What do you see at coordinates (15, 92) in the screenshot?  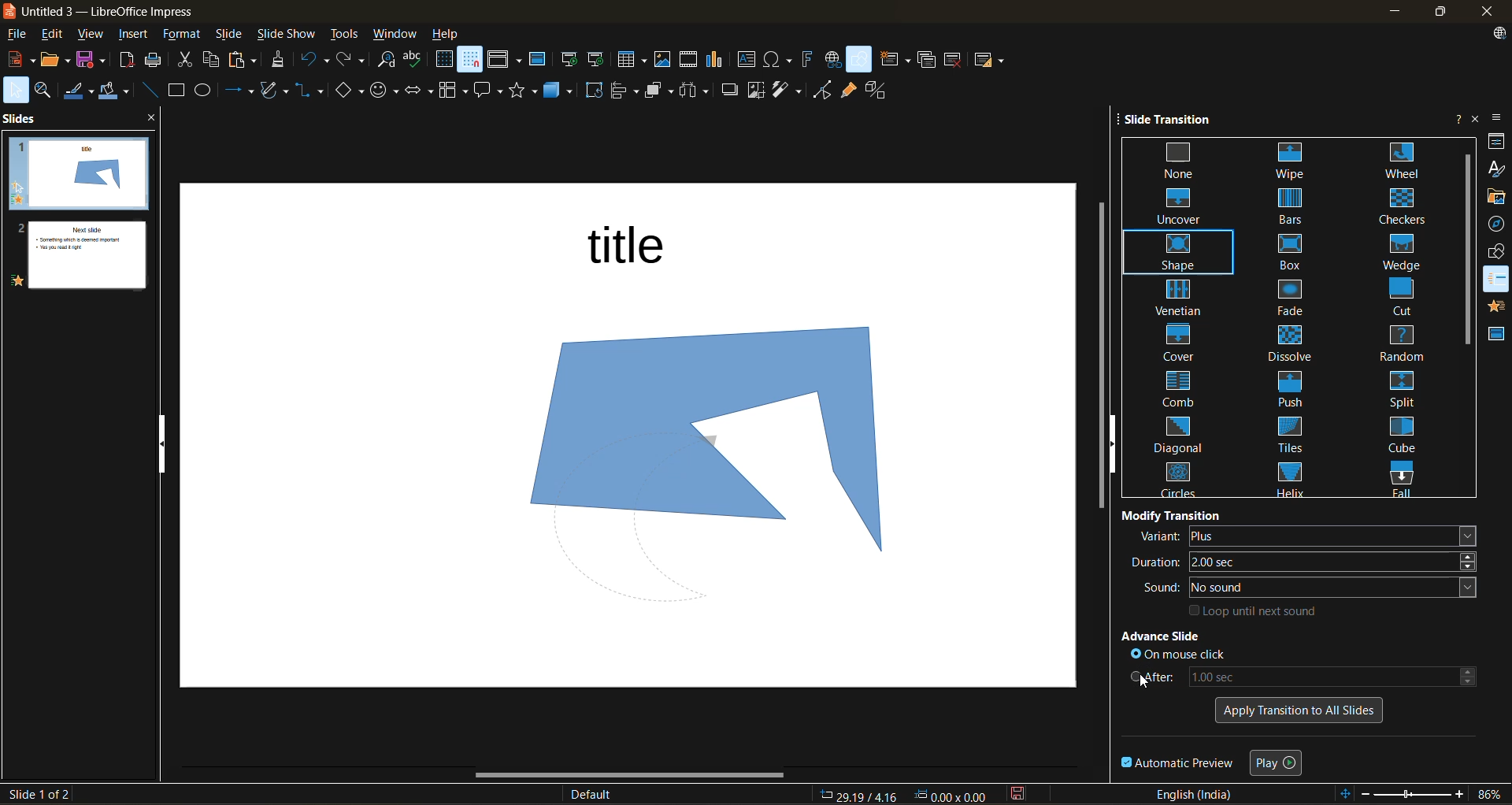 I see `select` at bounding box center [15, 92].